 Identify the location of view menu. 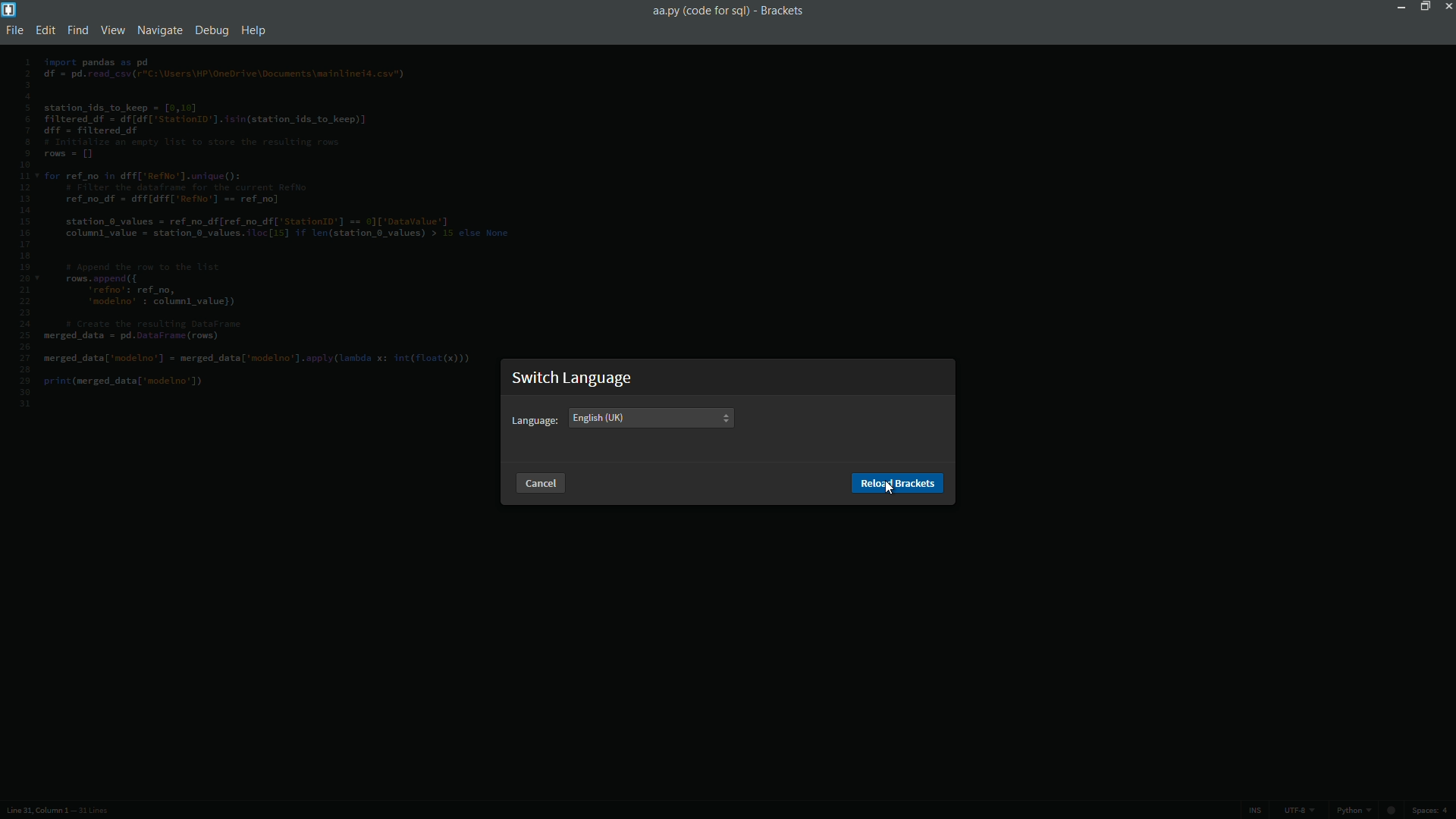
(111, 30).